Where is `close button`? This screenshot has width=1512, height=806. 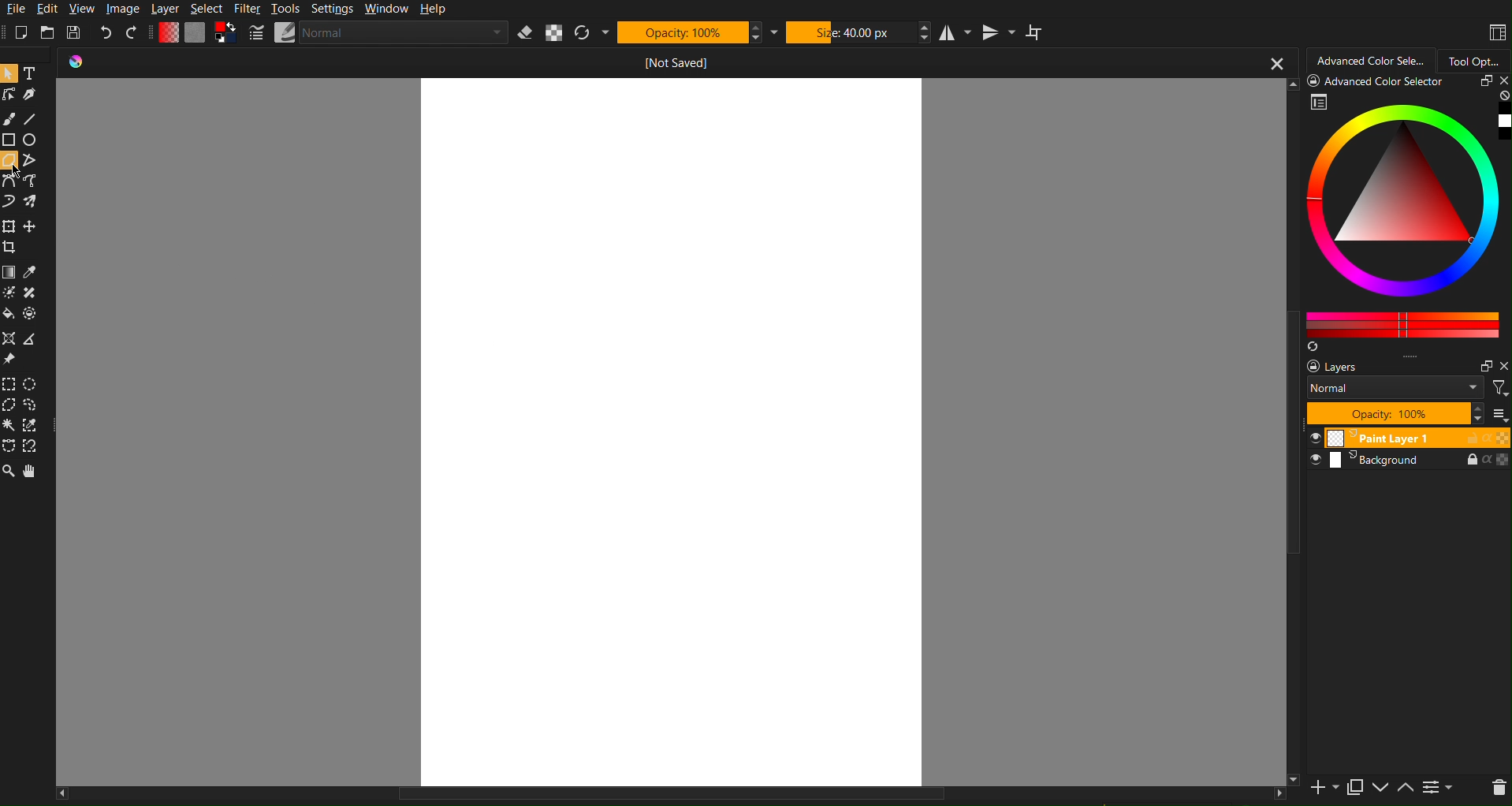 close button is located at coordinates (1275, 60).